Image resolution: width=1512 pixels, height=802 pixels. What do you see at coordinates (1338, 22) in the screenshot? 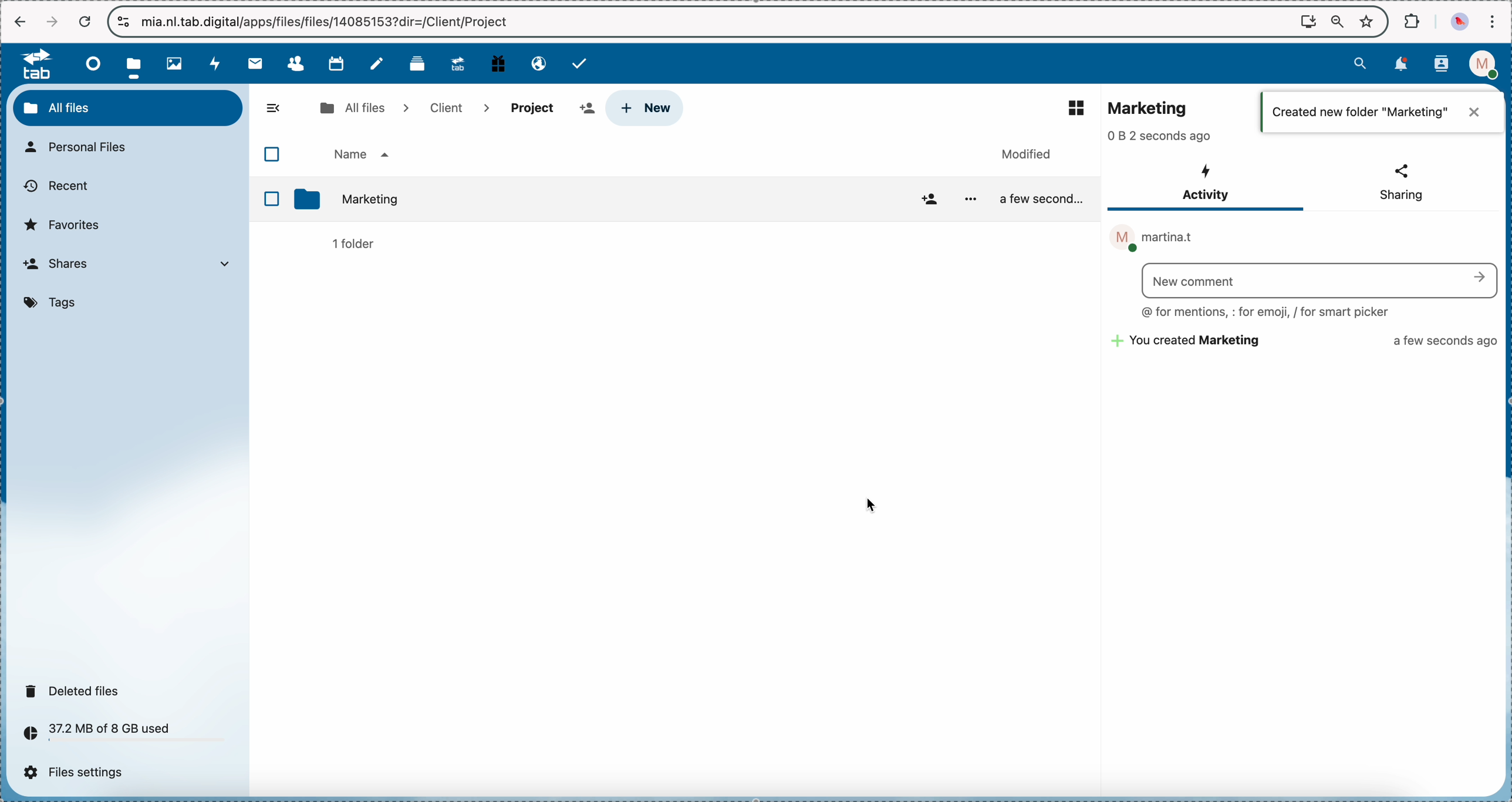
I see `zoom out` at bounding box center [1338, 22].